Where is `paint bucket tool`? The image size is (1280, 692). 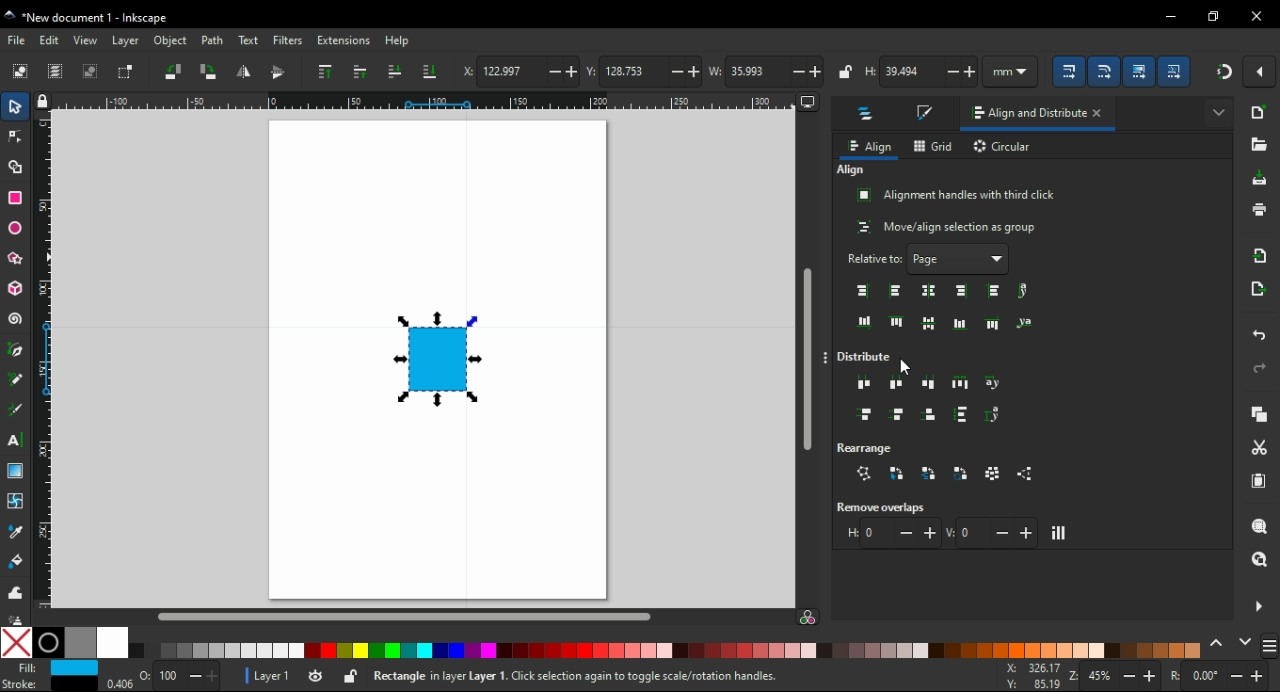 paint bucket tool is located at coordinates (16, 560).